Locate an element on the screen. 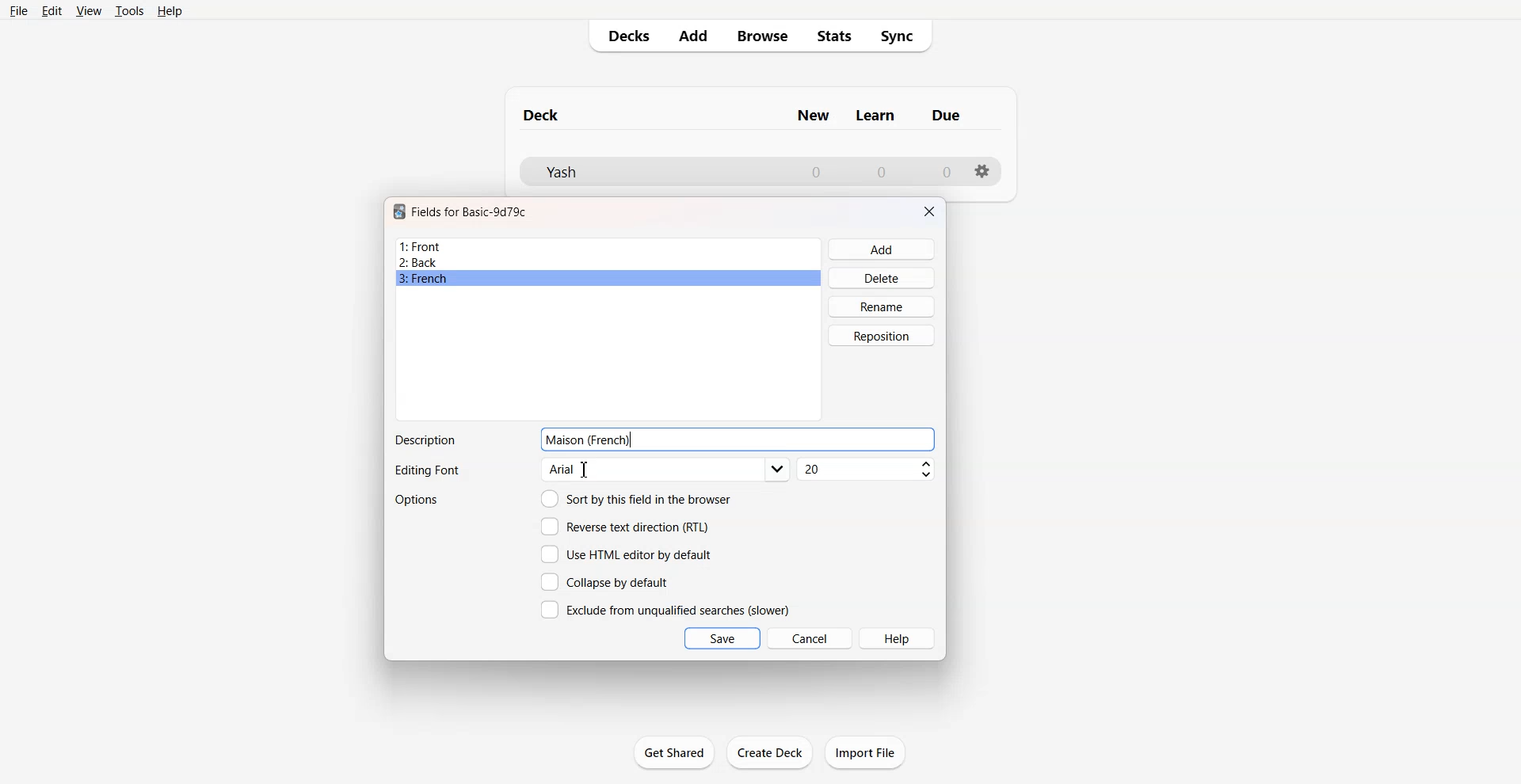 The image size is (1521, 784). File is located at coordinates (17, 10).